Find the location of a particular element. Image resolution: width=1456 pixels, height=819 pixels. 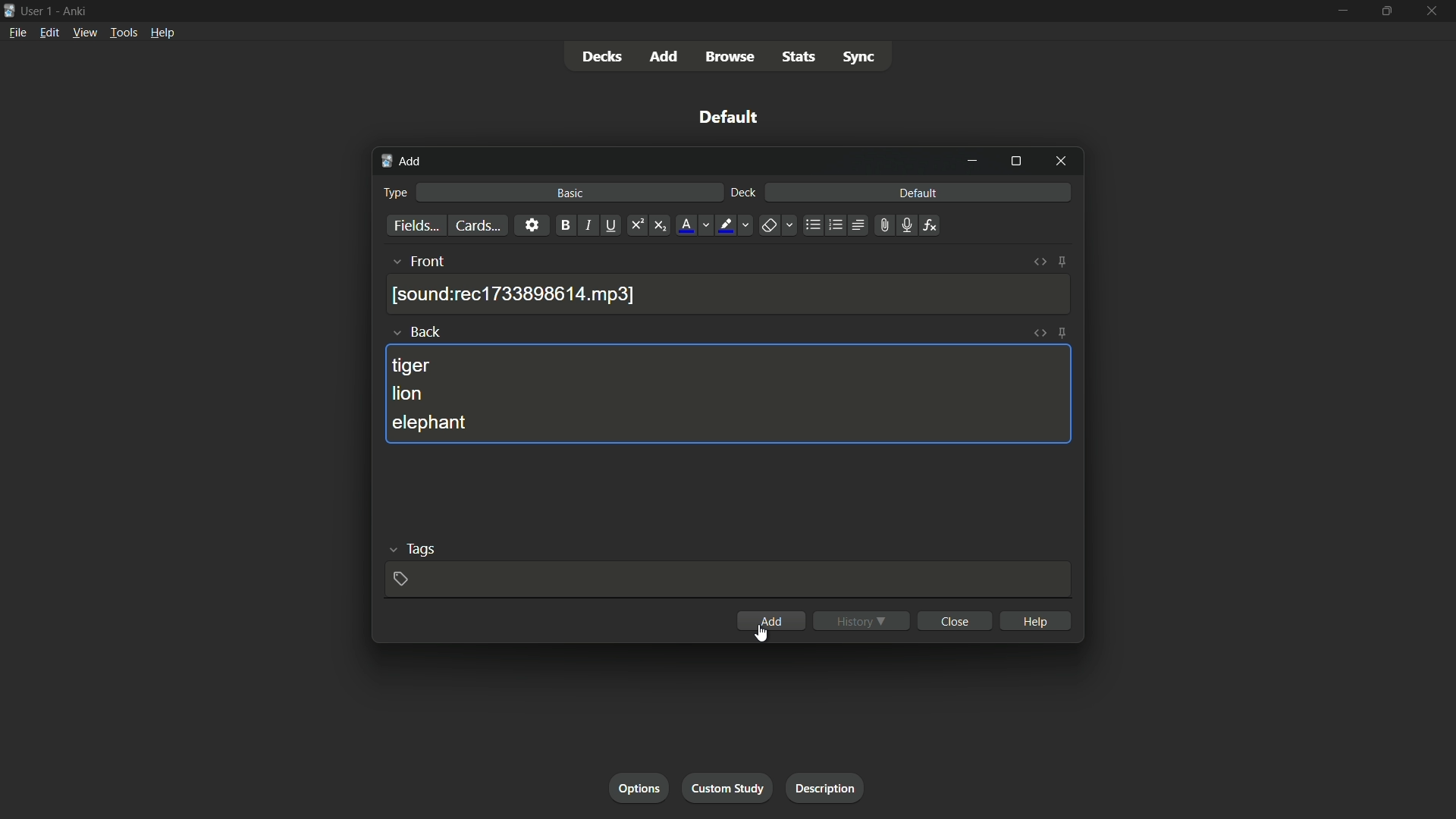

record audio is located at coordinates (903, 226).